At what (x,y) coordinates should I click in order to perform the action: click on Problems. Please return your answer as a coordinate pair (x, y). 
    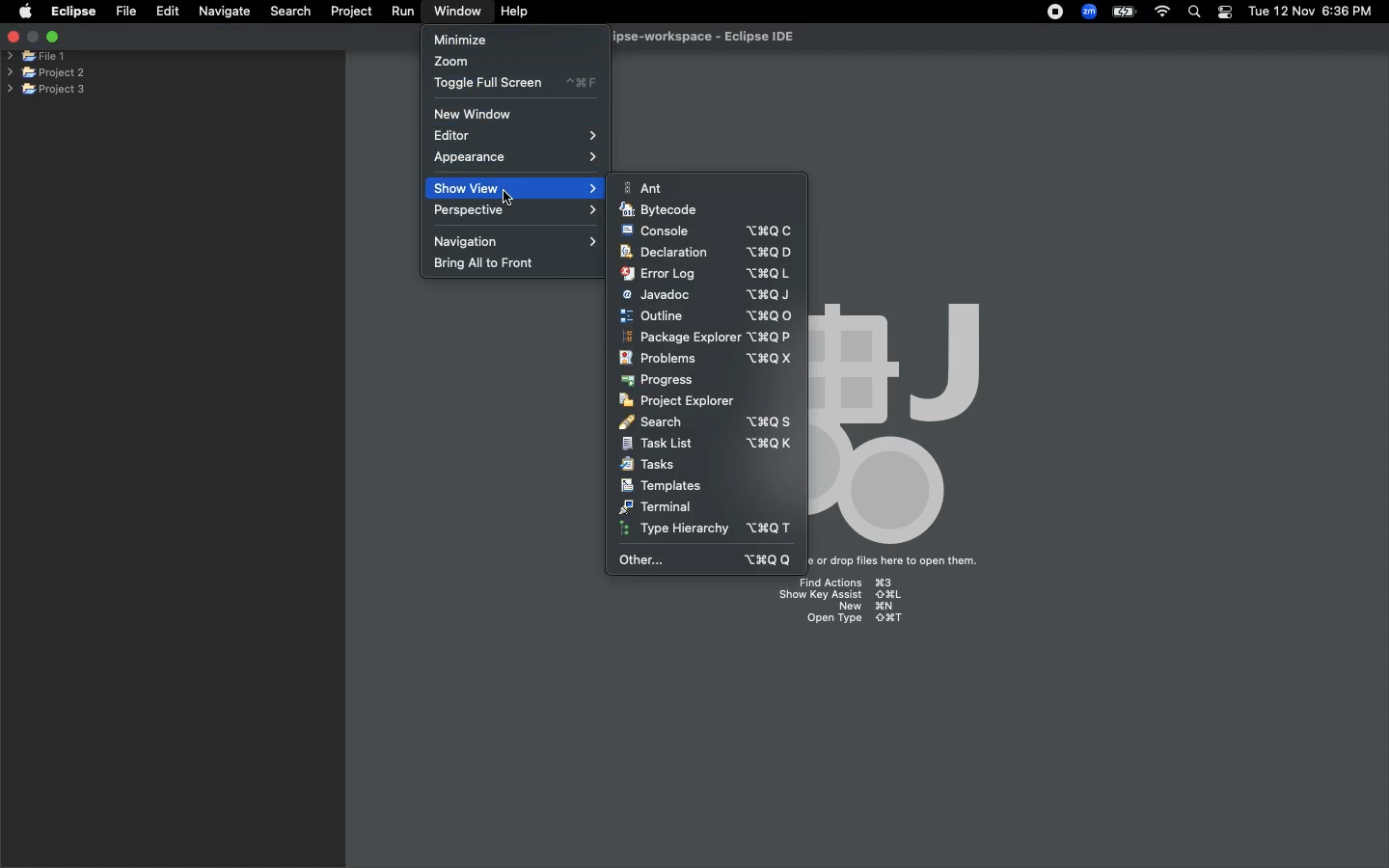
    Looking at the image, I should click on (705, 359).